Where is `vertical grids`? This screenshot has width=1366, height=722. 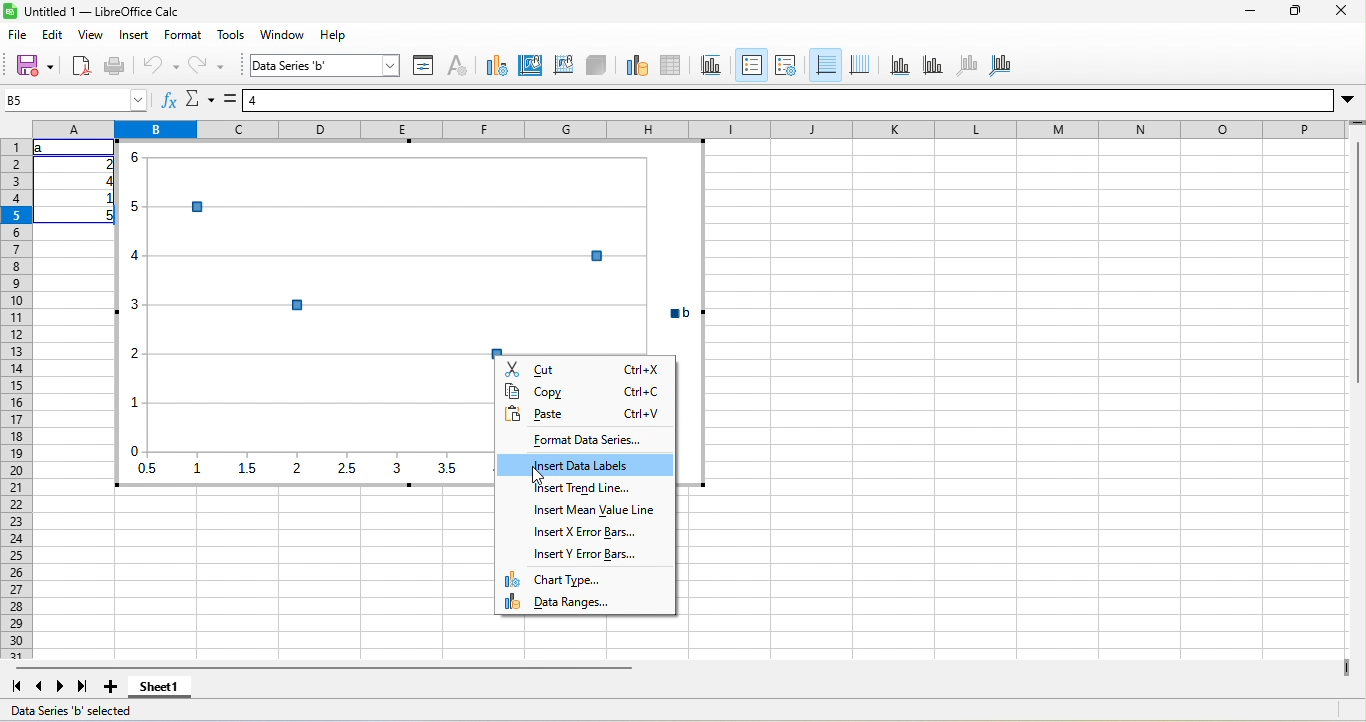
vertical grids is located at coordinates (860, 67).